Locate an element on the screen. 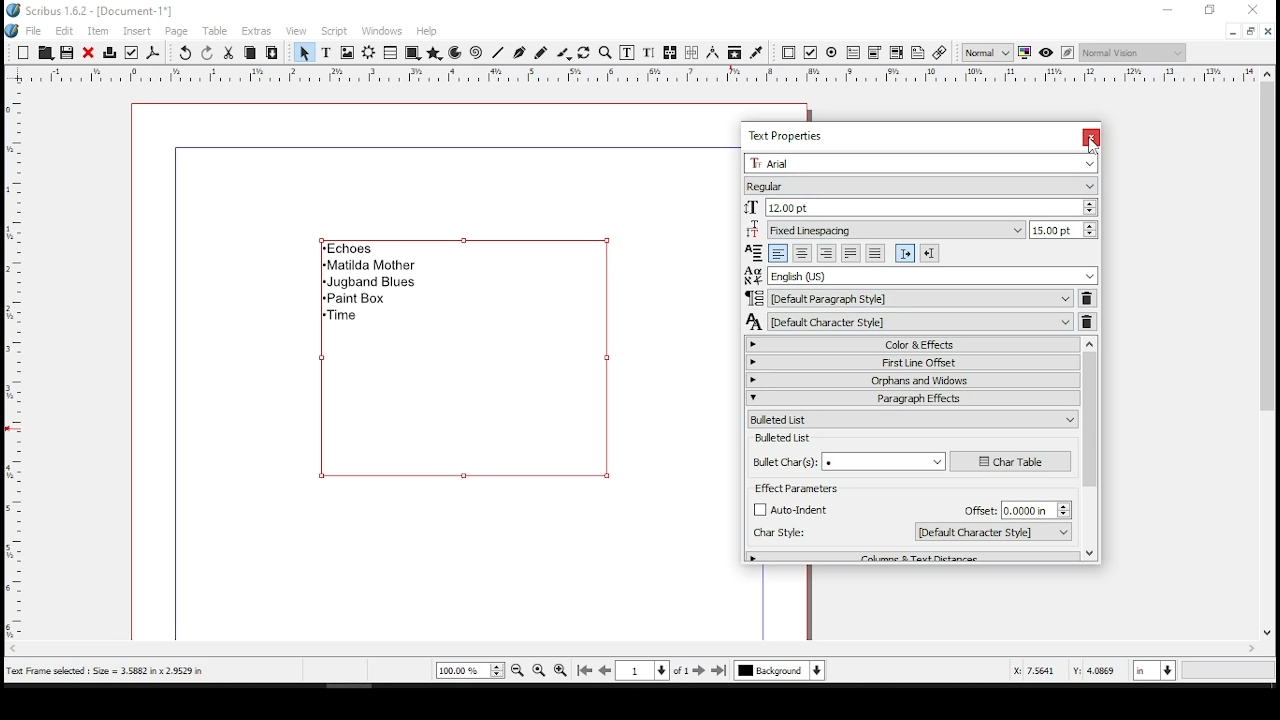  next page is located at coordinates (699, 670).